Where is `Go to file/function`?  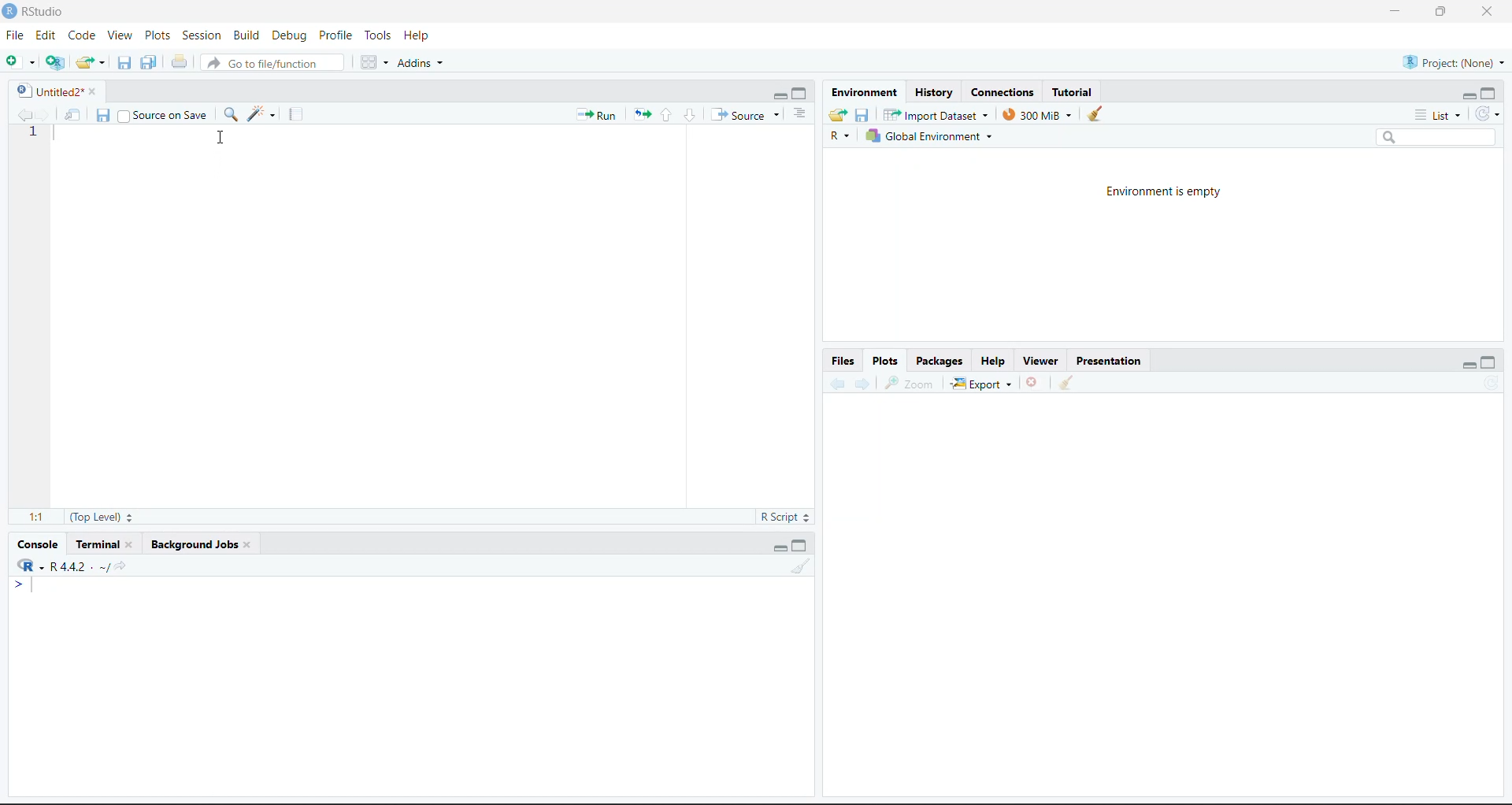 Go to file/function is located at coordinates (270, 63).